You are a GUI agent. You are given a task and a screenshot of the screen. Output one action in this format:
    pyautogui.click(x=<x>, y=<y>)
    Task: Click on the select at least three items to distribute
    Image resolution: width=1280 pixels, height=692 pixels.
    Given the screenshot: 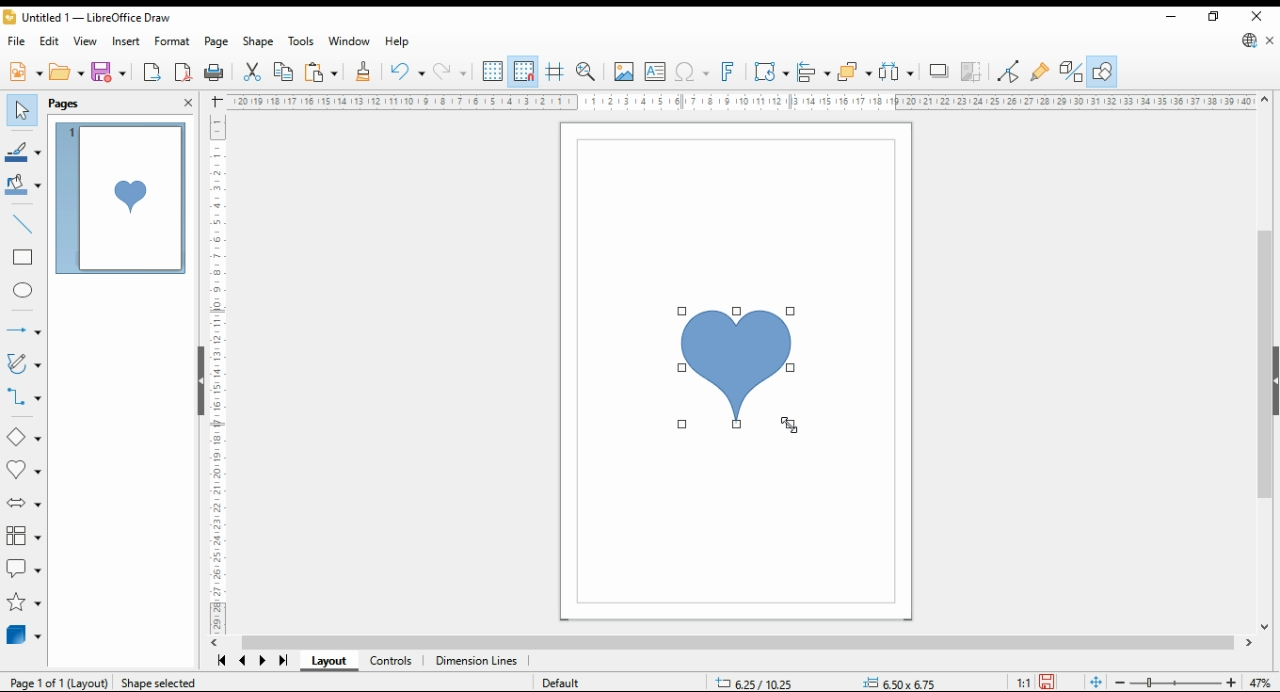 What is the action you would take?
    pyautogui.click(x=897, y=72)
    